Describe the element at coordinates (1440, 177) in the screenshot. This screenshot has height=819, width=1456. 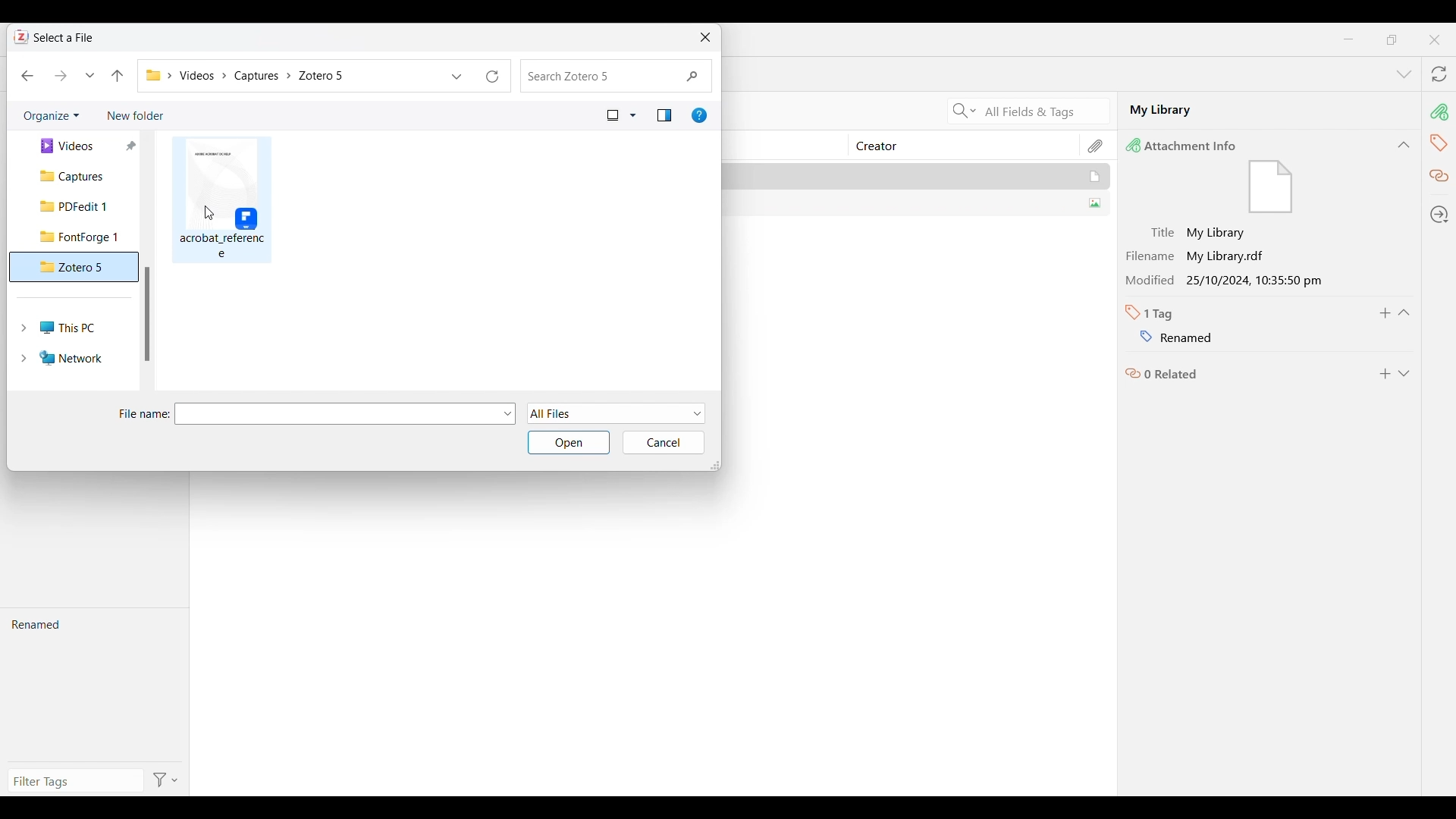
I see `Related` at that location.